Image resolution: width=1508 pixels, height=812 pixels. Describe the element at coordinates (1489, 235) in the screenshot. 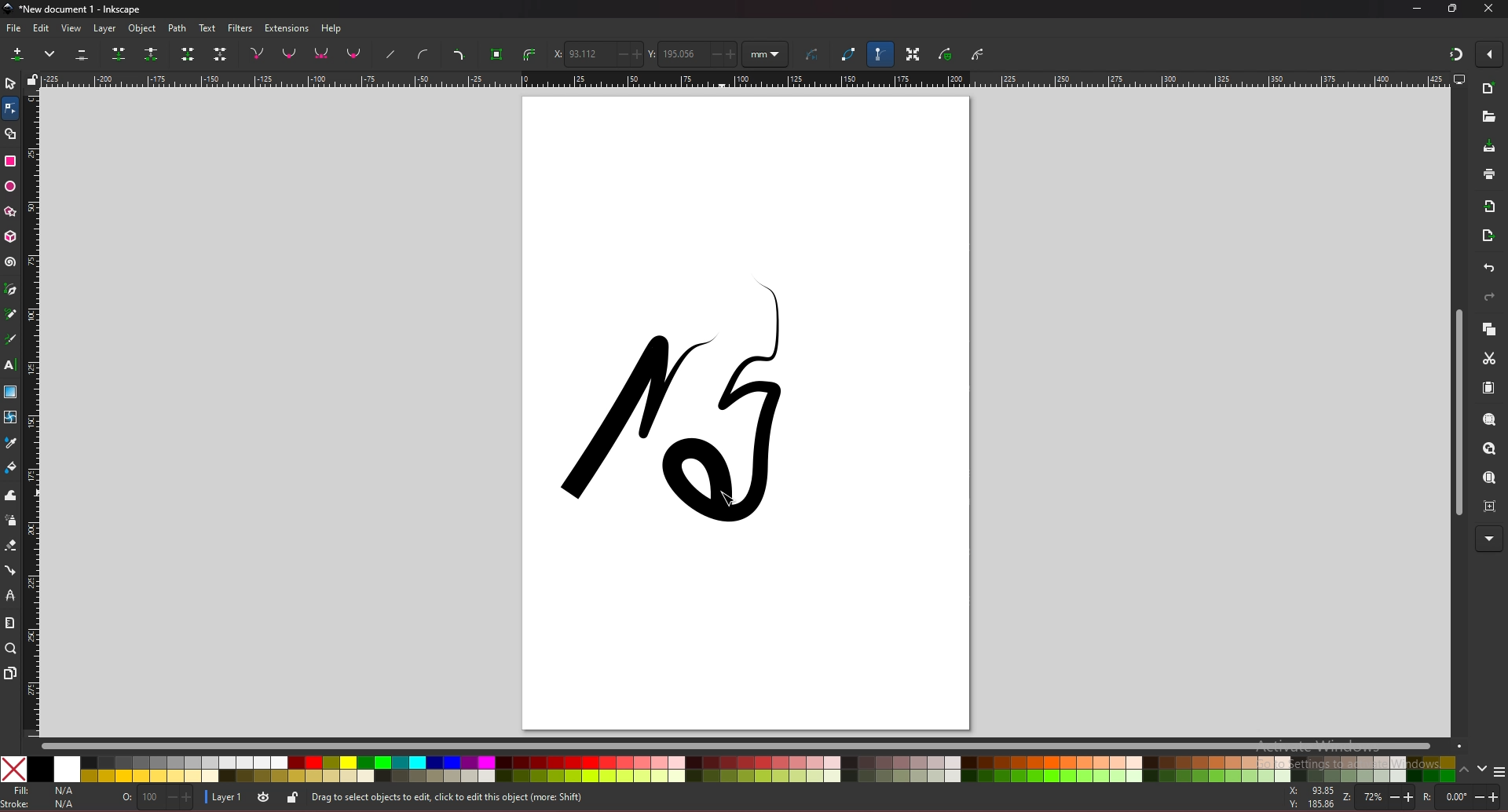

I see `export` at that location.